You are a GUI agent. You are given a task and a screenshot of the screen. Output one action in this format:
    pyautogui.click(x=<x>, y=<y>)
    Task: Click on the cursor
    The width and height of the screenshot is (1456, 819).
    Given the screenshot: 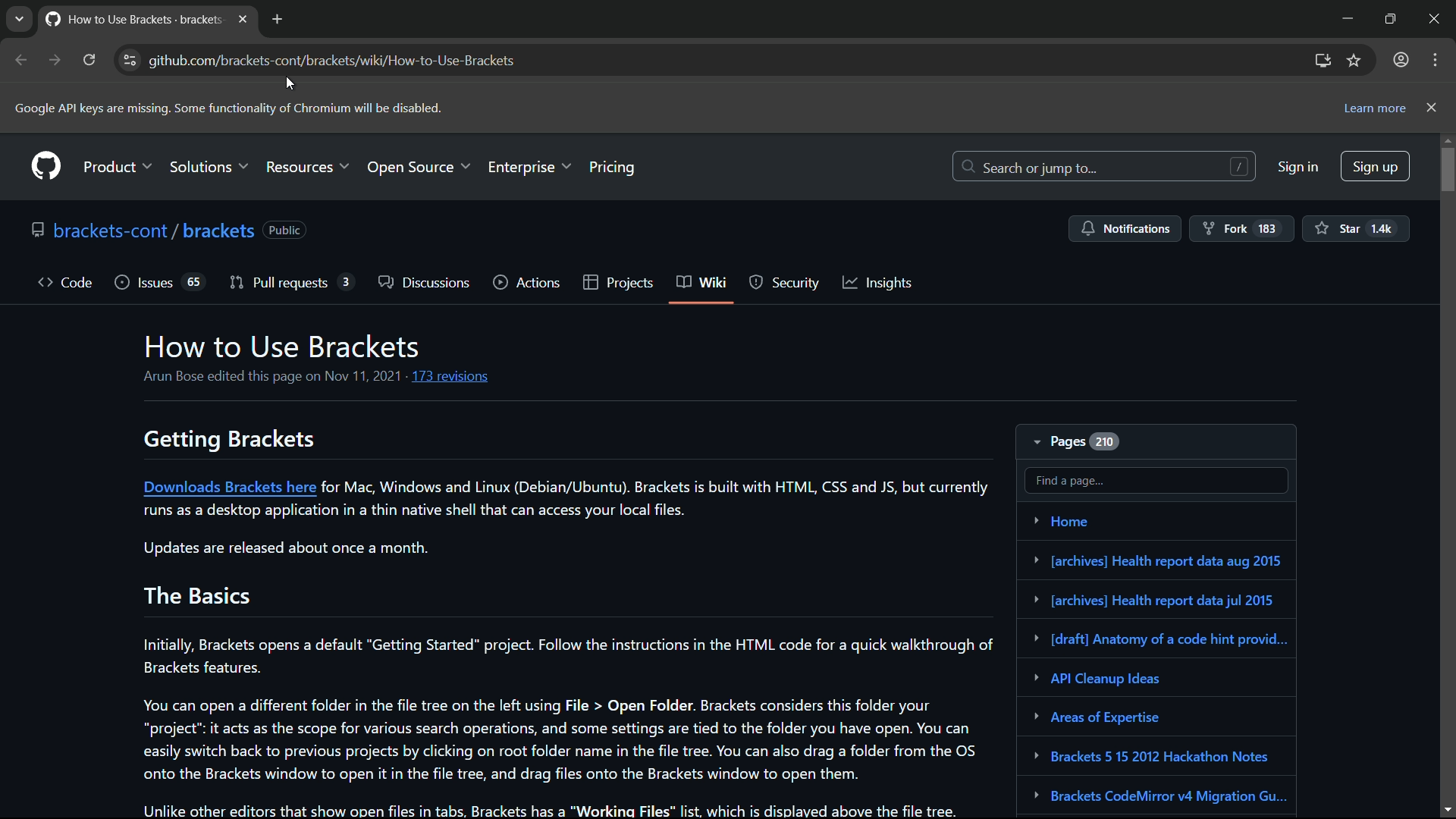 What is the action you would take?
    pyautogui.click(x=291, y=83)
    